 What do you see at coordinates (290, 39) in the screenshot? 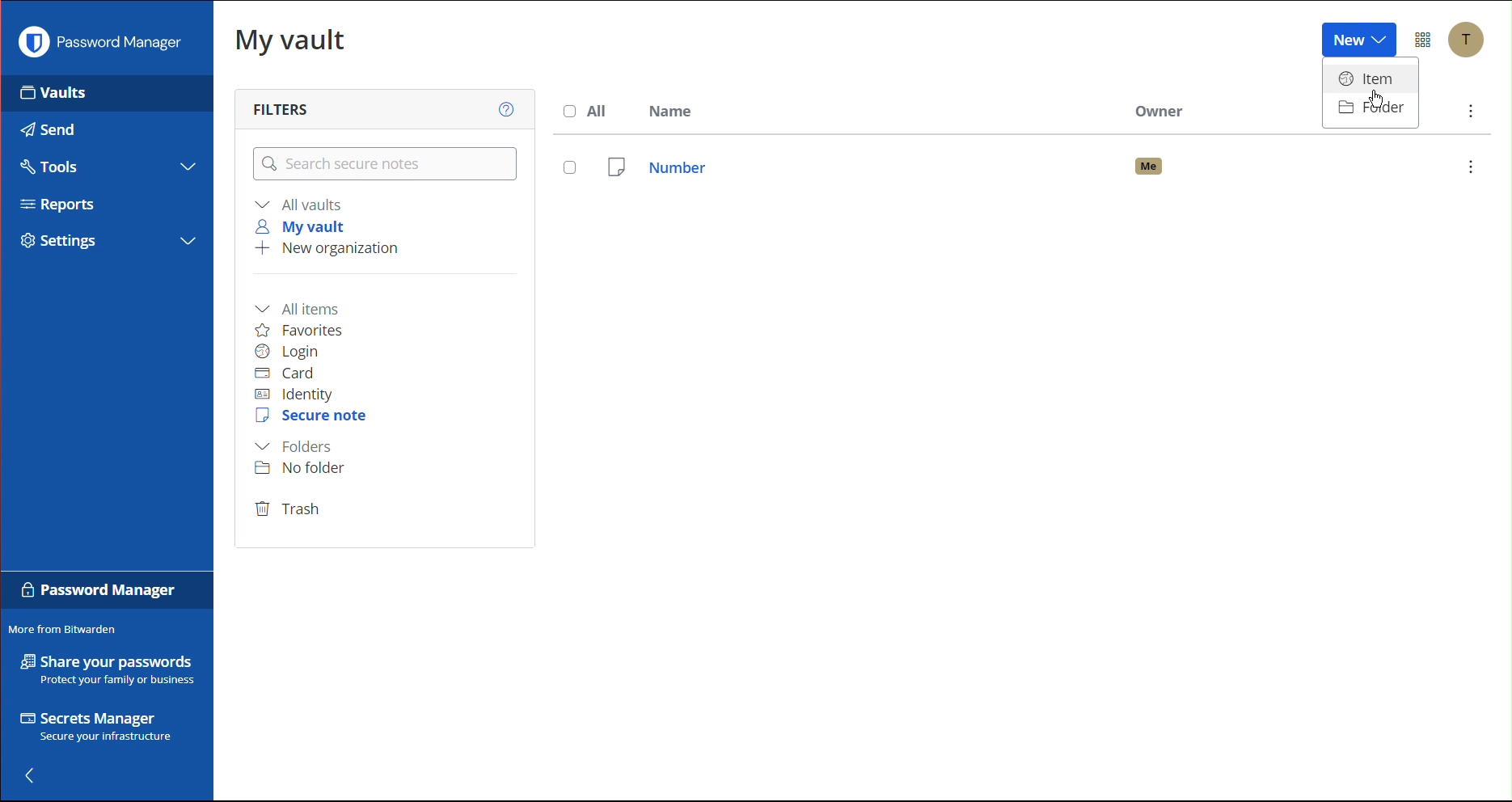
I see `My Vault` at bounding box center [290, 39].